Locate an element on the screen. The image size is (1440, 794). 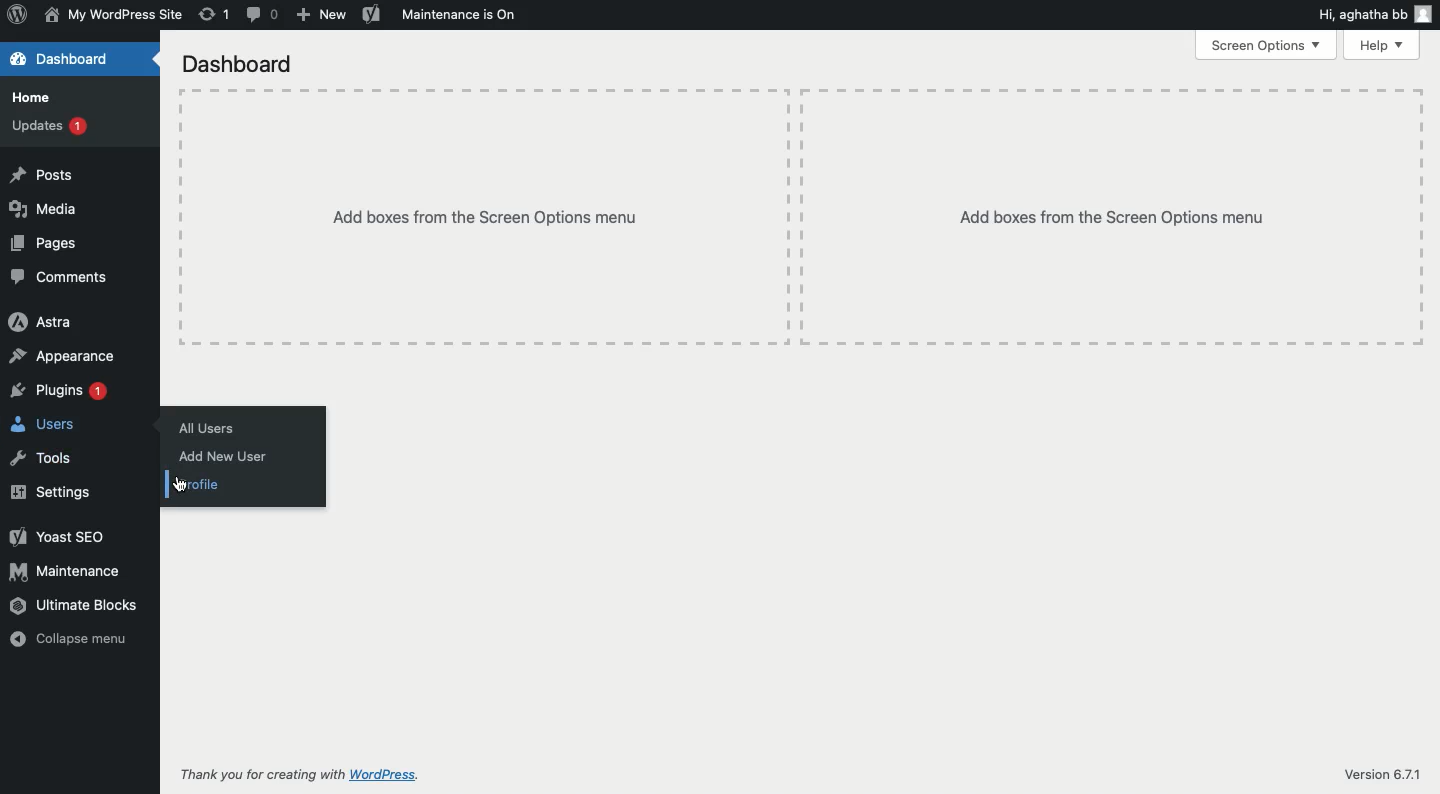
Comment is located at coordinates (264, 14).